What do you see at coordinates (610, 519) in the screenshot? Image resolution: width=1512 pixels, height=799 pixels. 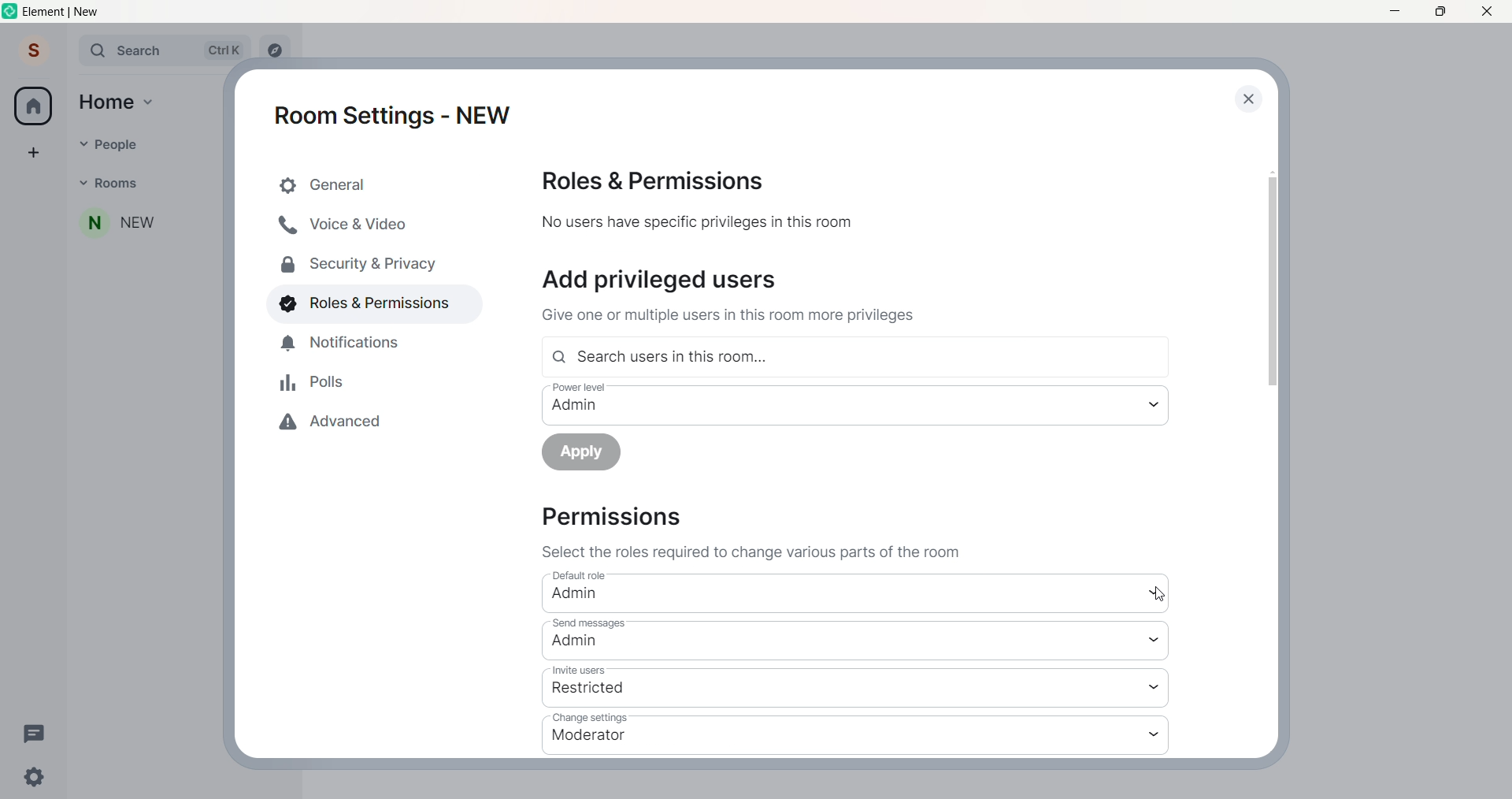 I see `permission` at bounding box center [610, 519].